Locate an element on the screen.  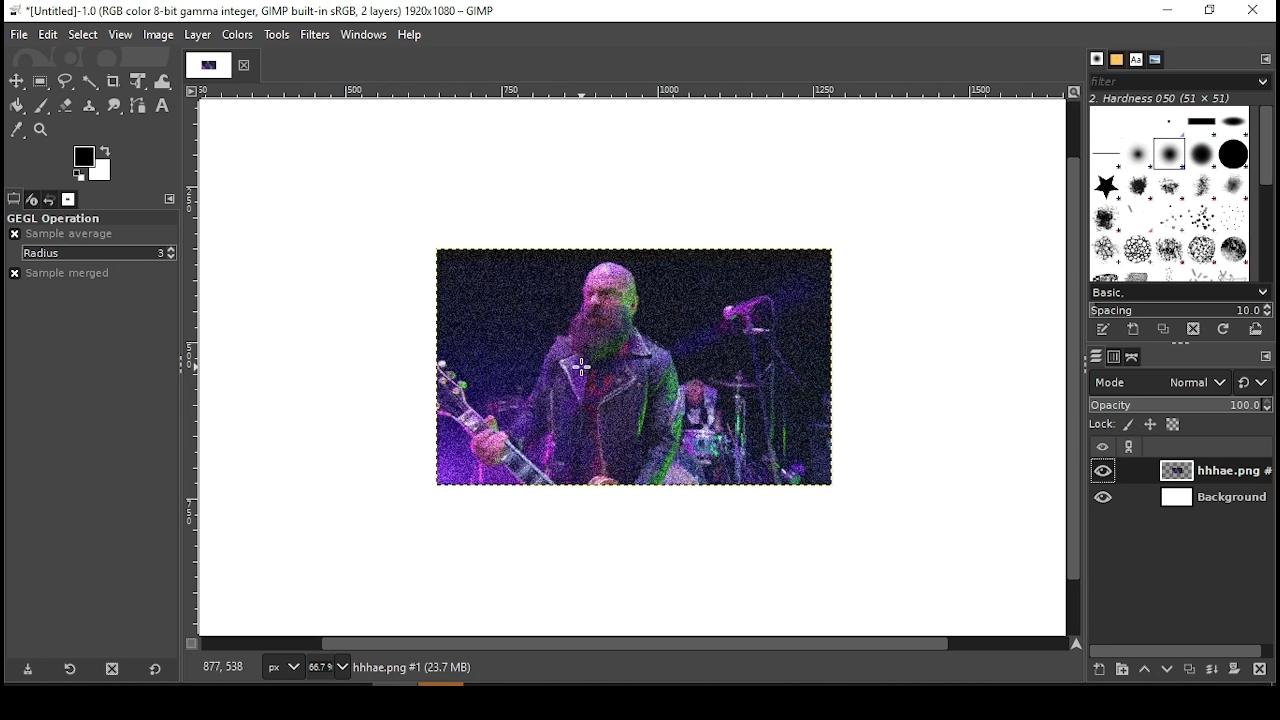
restore tool preset is located at coordinates (68, 668).